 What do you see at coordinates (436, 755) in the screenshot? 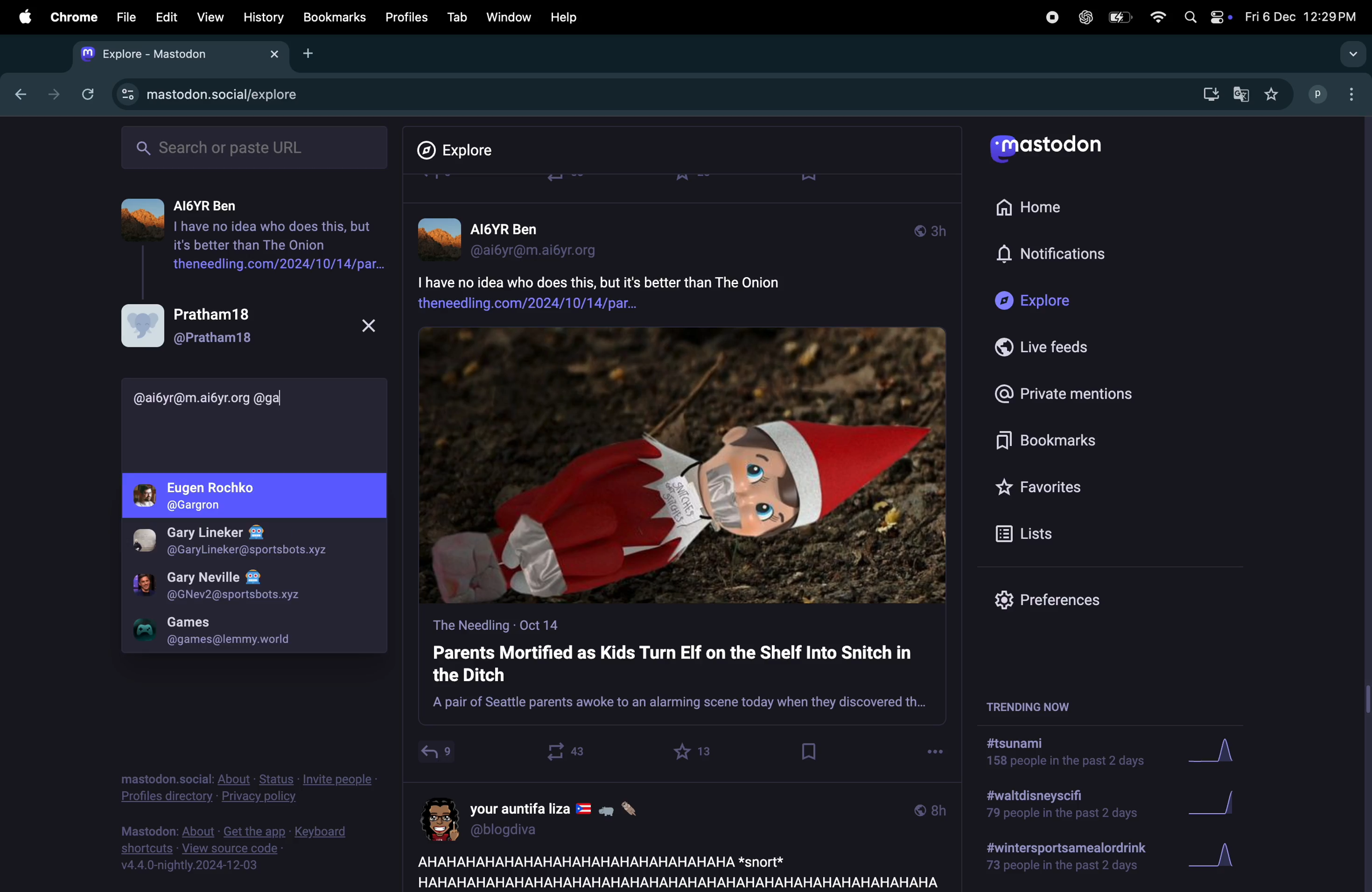
I see `reply` at bounding box center [436, 755].